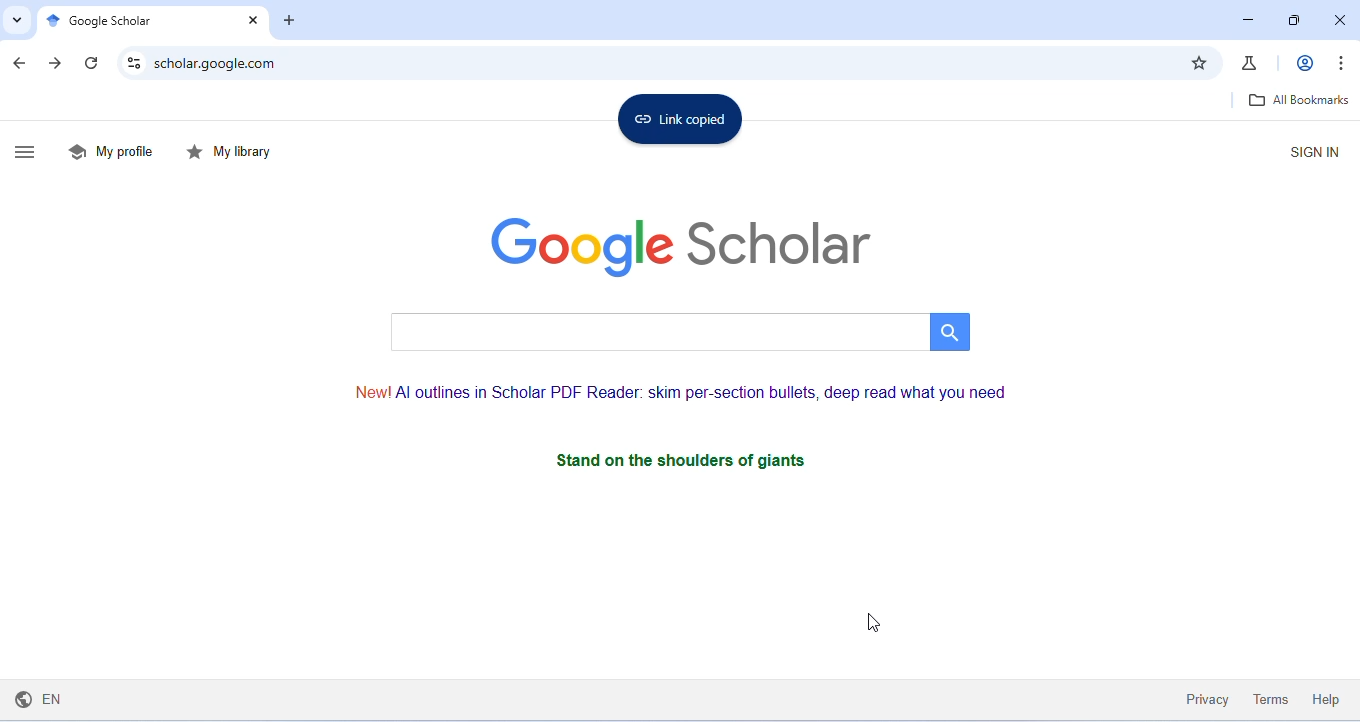 The image size is (1360, 722). Describe the element at coordinates (677, 389) in the screenshot. I see `text on AI outlines` at that location.